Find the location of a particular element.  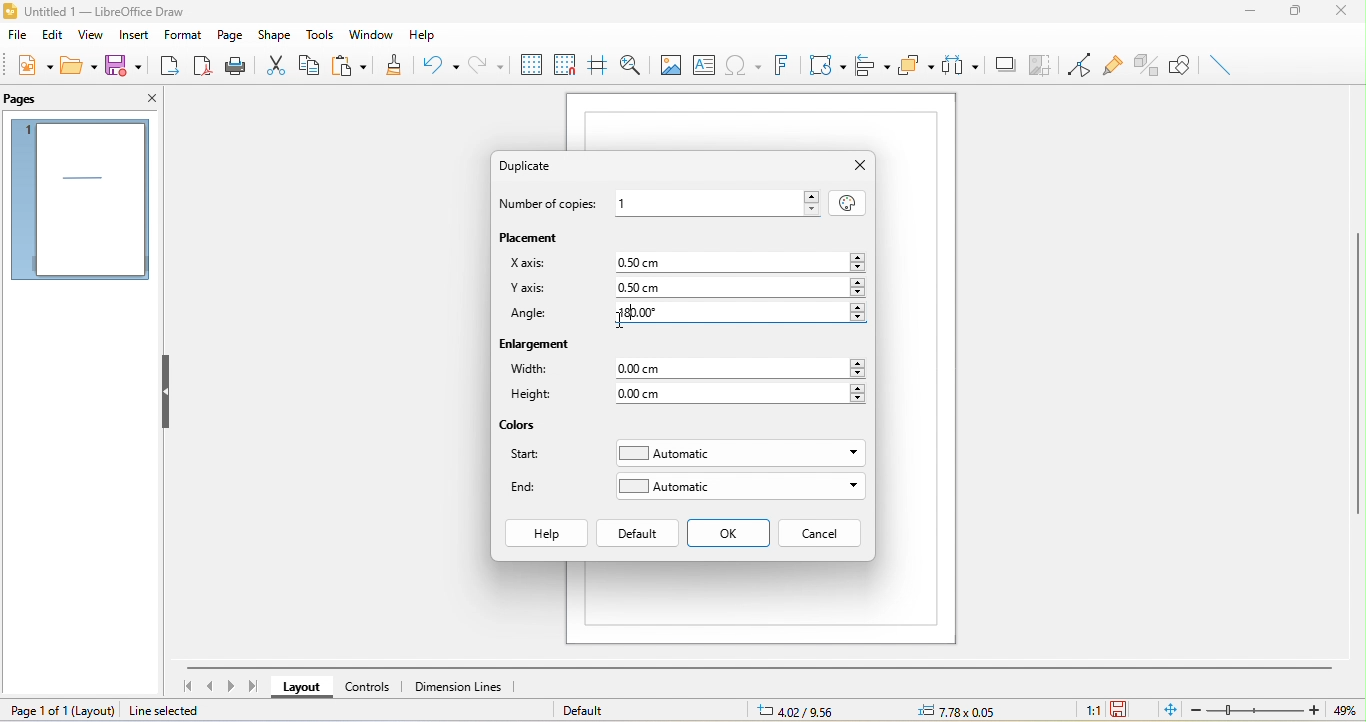

font work text is located at coordinates (780, 65).